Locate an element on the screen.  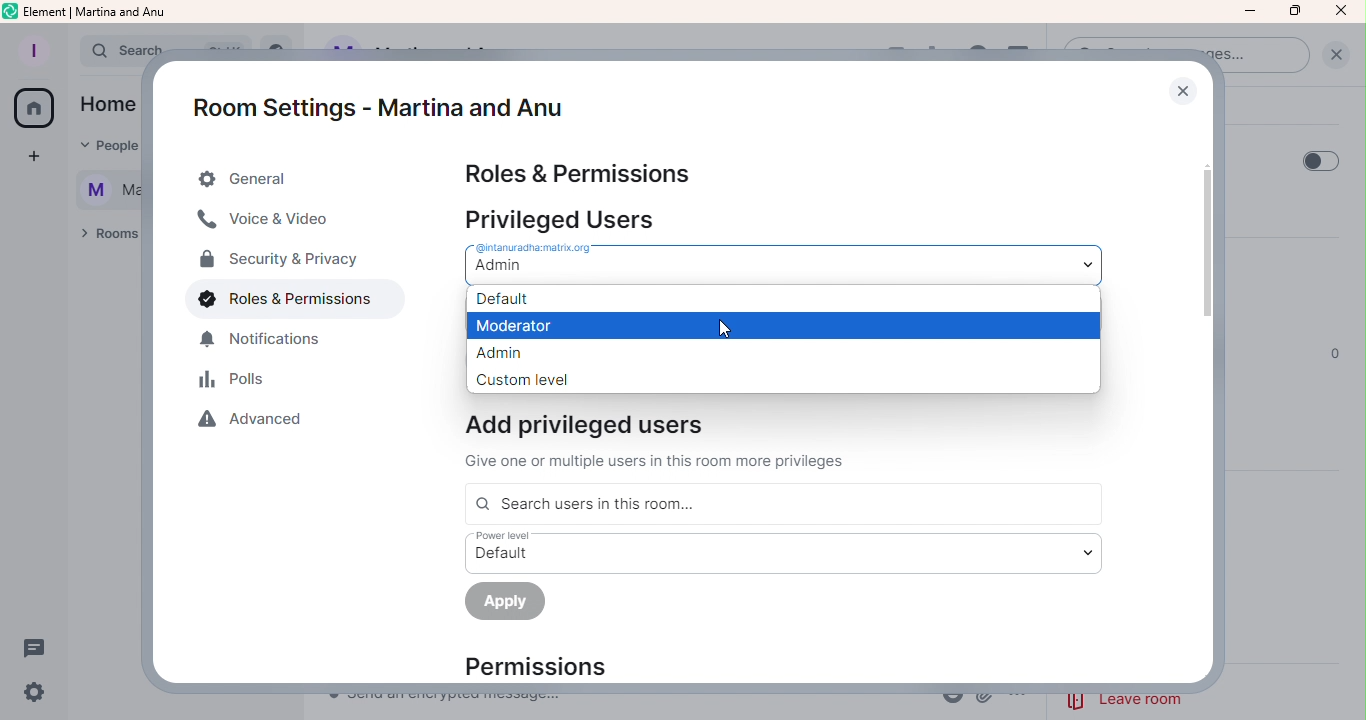
Moderator is located at coordinates (782, 325).